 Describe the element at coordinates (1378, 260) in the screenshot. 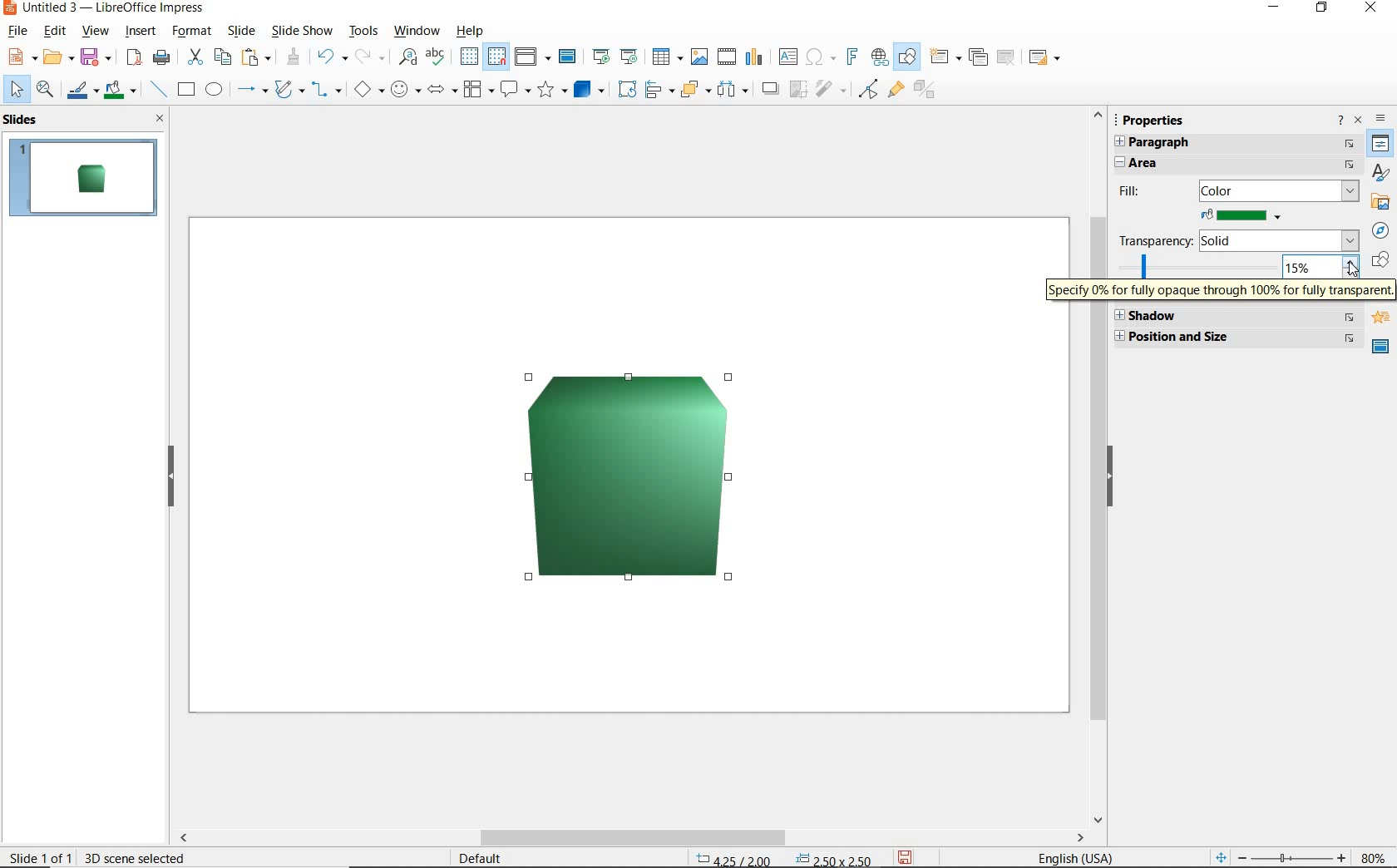

I see `SHAPES` at that location.